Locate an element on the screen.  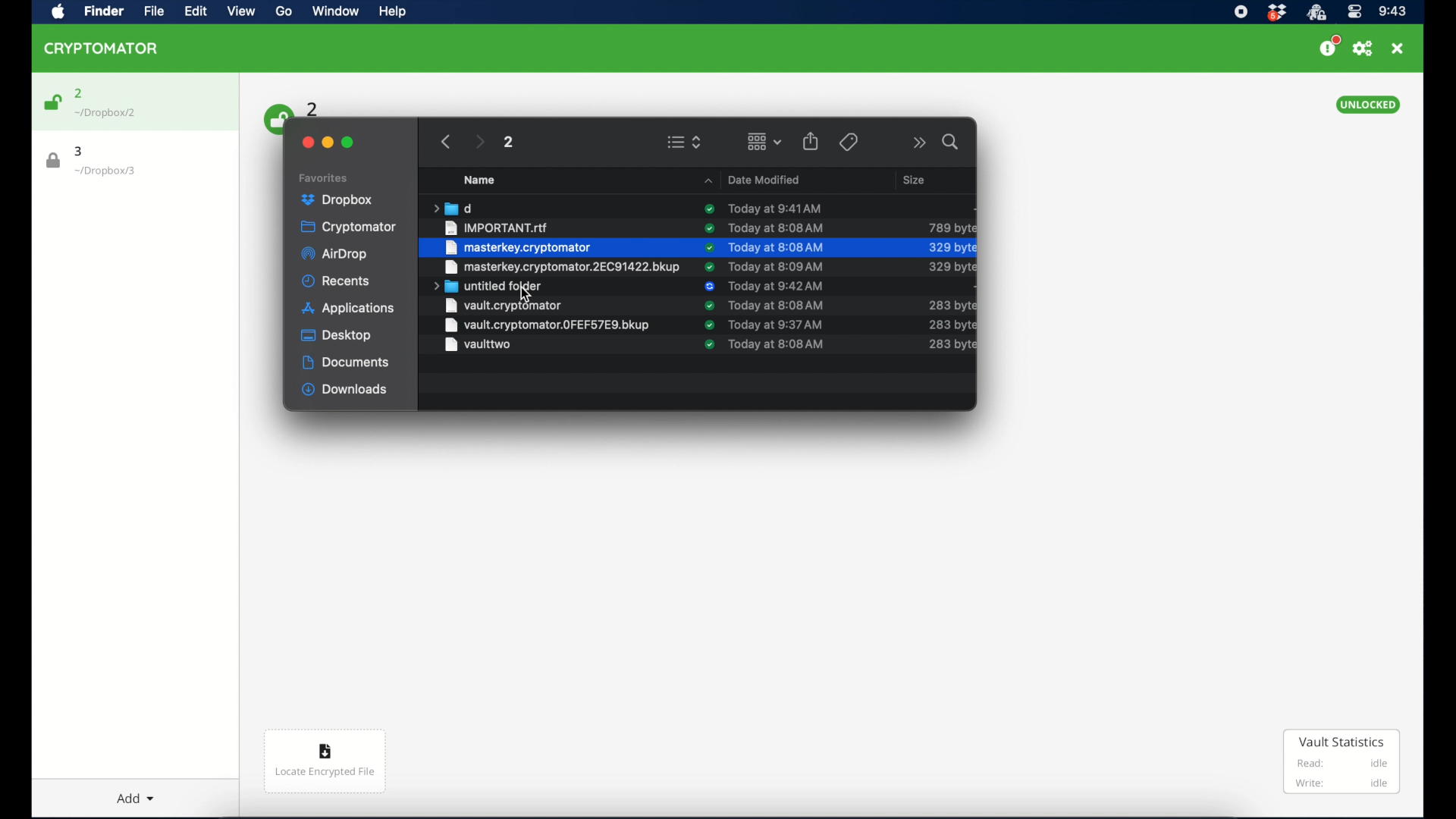
control  center is located at coordinates (1354, 12).